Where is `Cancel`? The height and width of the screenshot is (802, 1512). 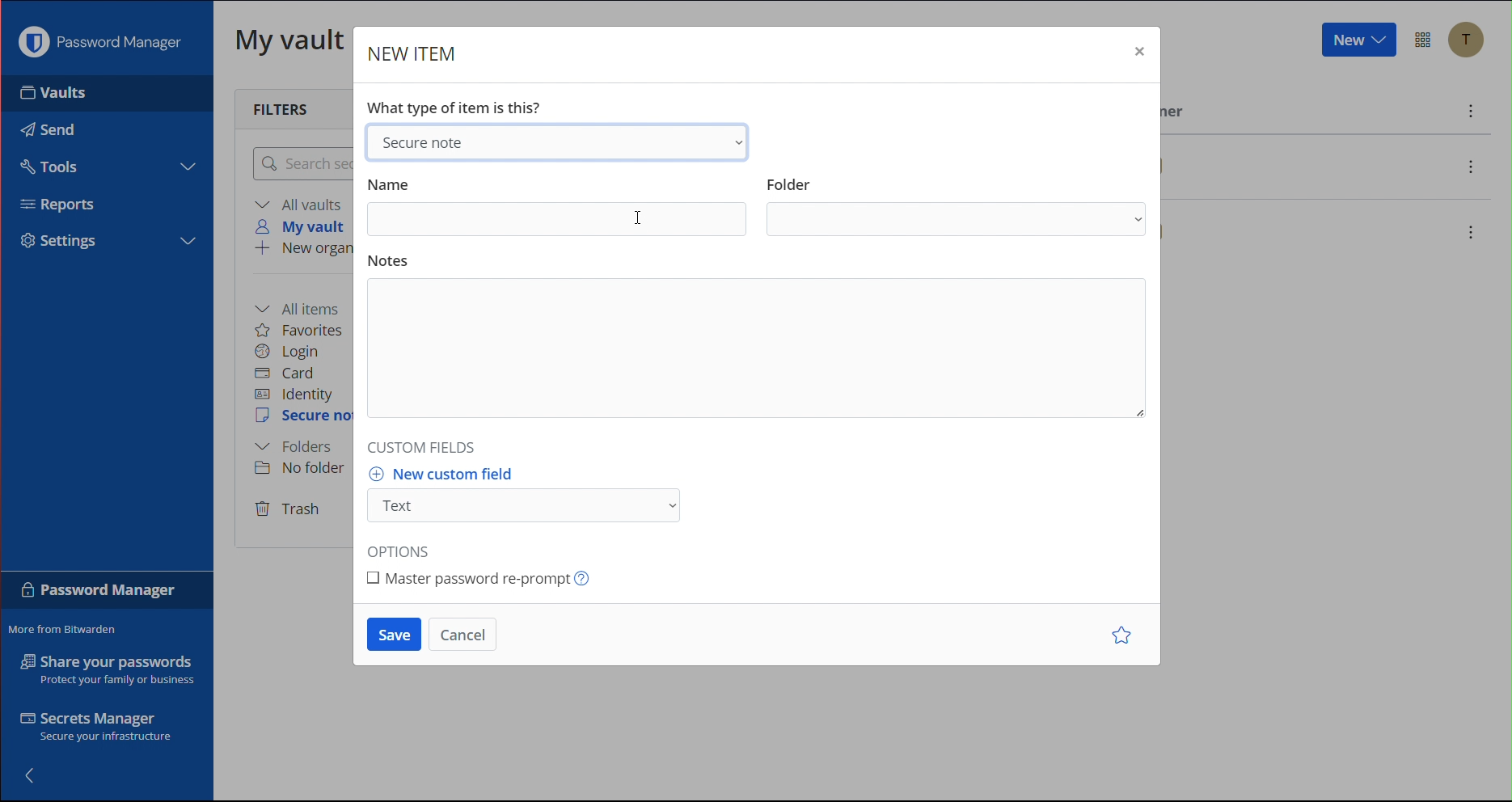 Cancel is located at coordinates (467, 632).